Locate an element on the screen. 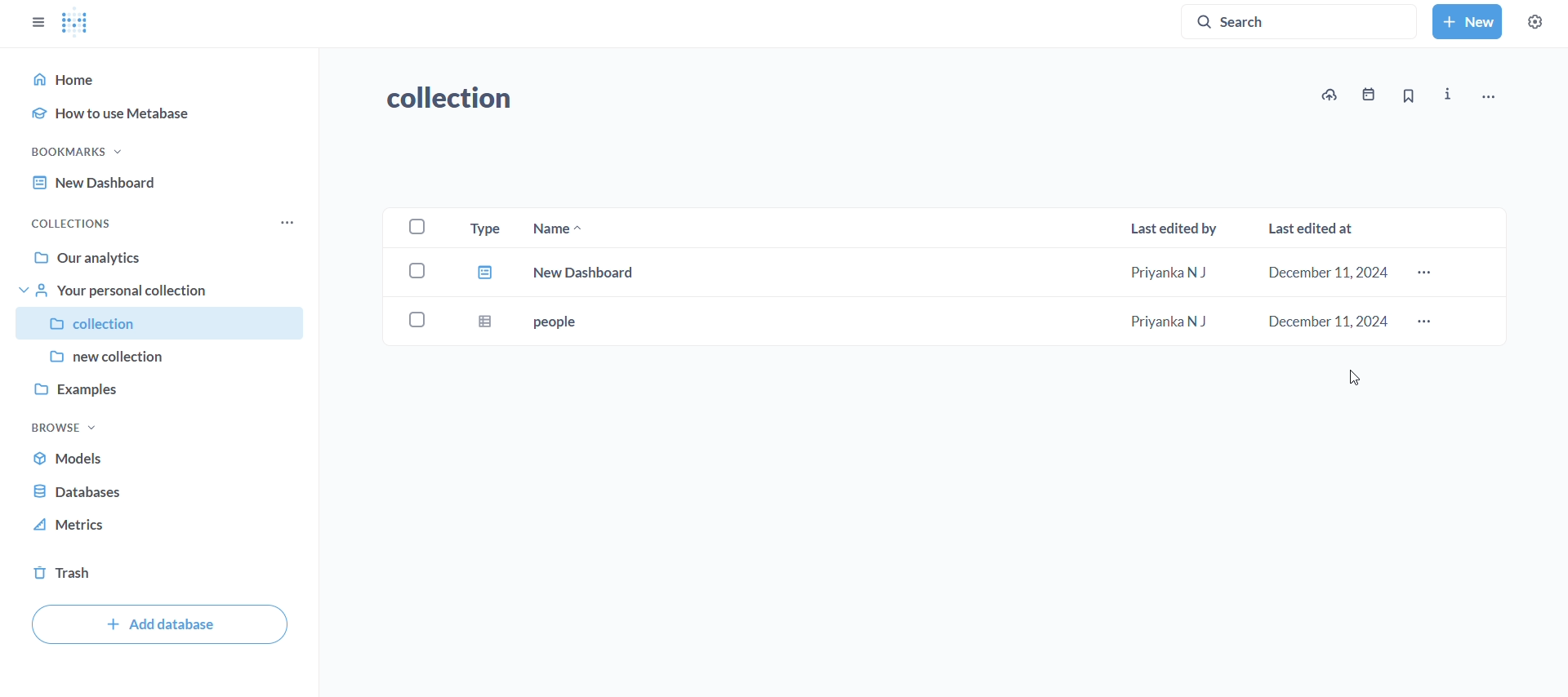 The image size is (1568, 697). last edited by is located at coordinates (1174, 226).